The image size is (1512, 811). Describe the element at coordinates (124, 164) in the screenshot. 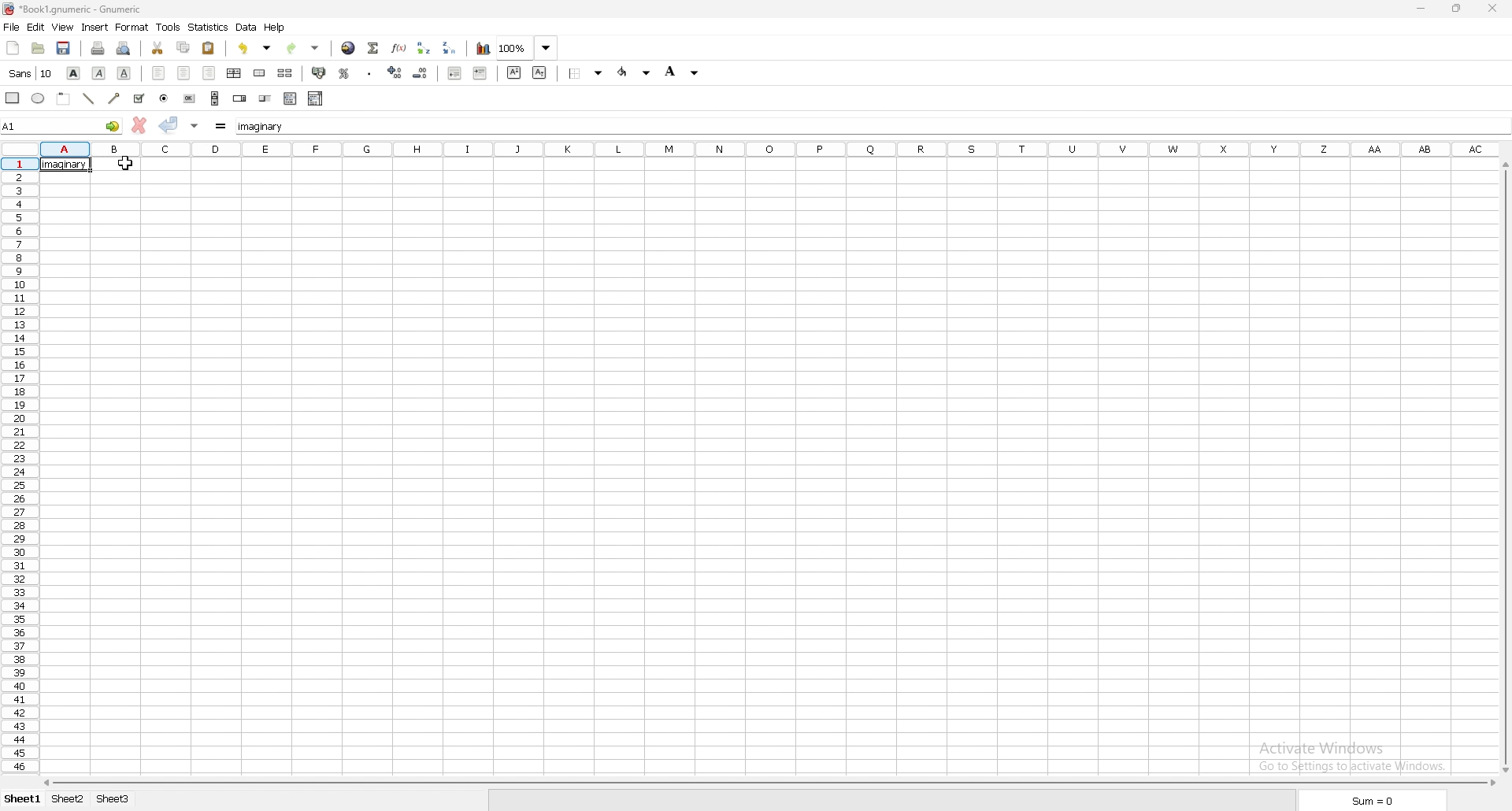

I see `cursor` at that location.